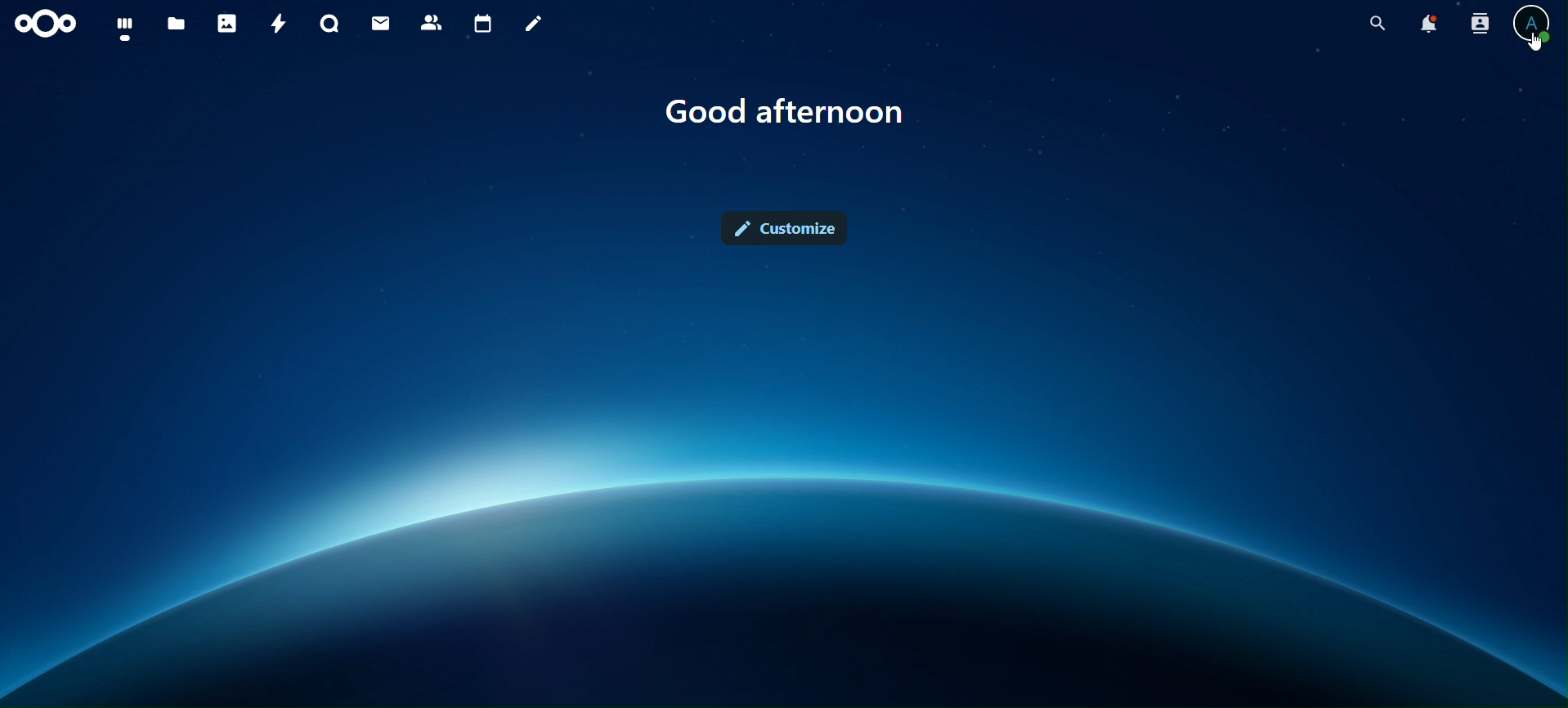 The height and width of the screenshot is (708, 1568). Describe the element at coordinates (52, 24) in the screenshot. I see `icon` at that location.